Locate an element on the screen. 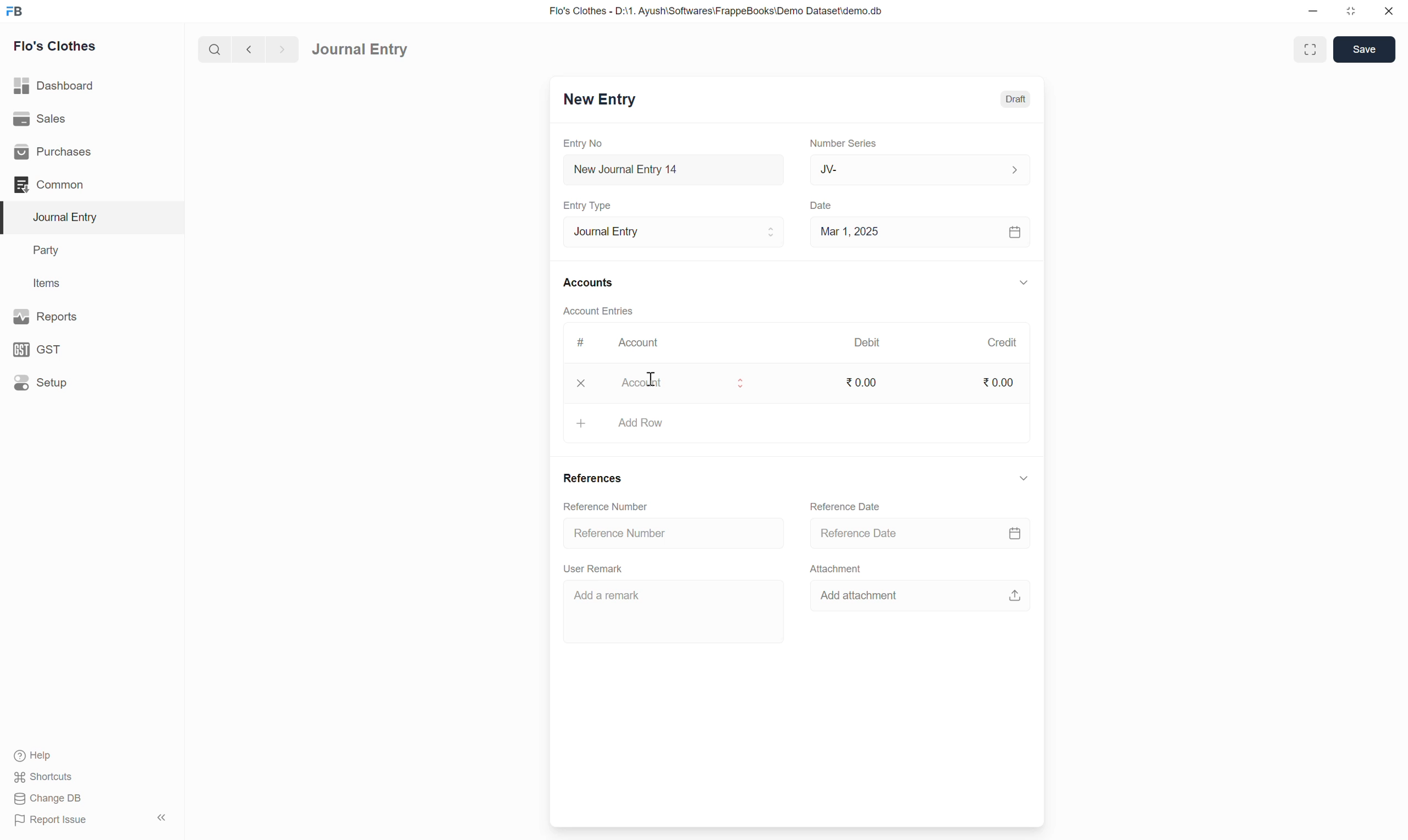  FB is located at coordinates (15, 11).